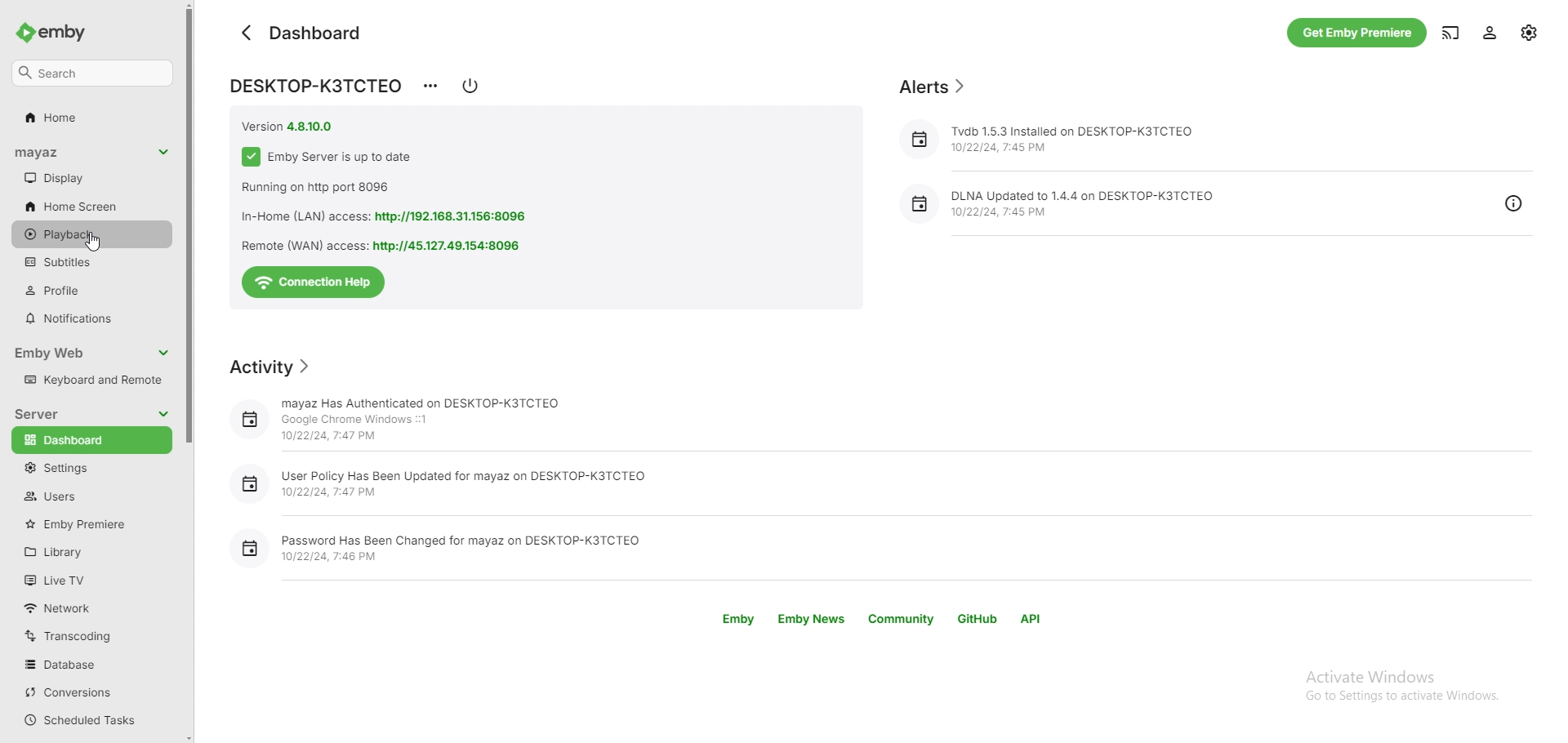  What do you see at coordinates (84, 607) in the screenshot?
I see `network` at bounding box center [84, 607].